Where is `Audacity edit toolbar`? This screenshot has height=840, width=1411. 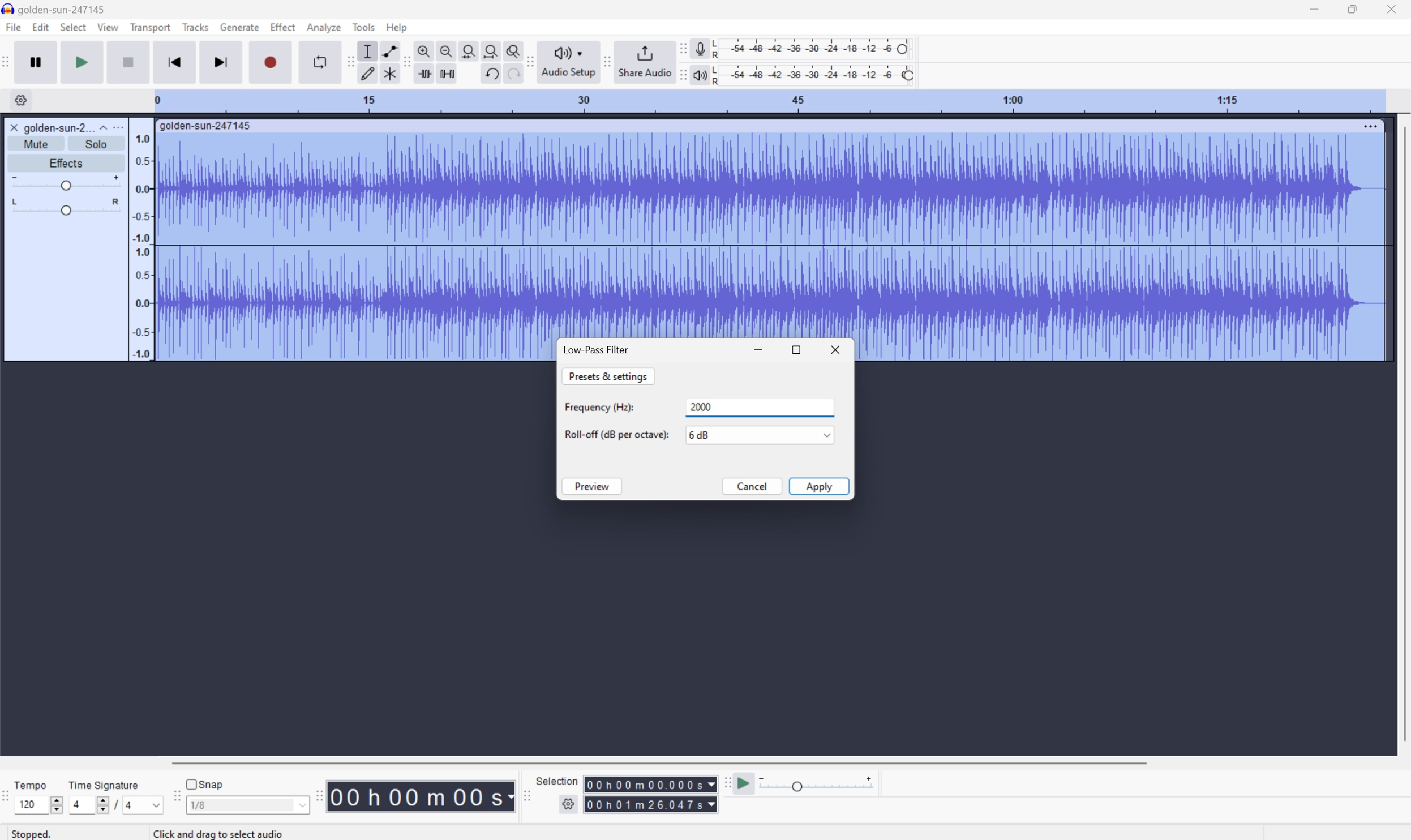
Audacity edit toolbar is located at coordinates (349, 61).